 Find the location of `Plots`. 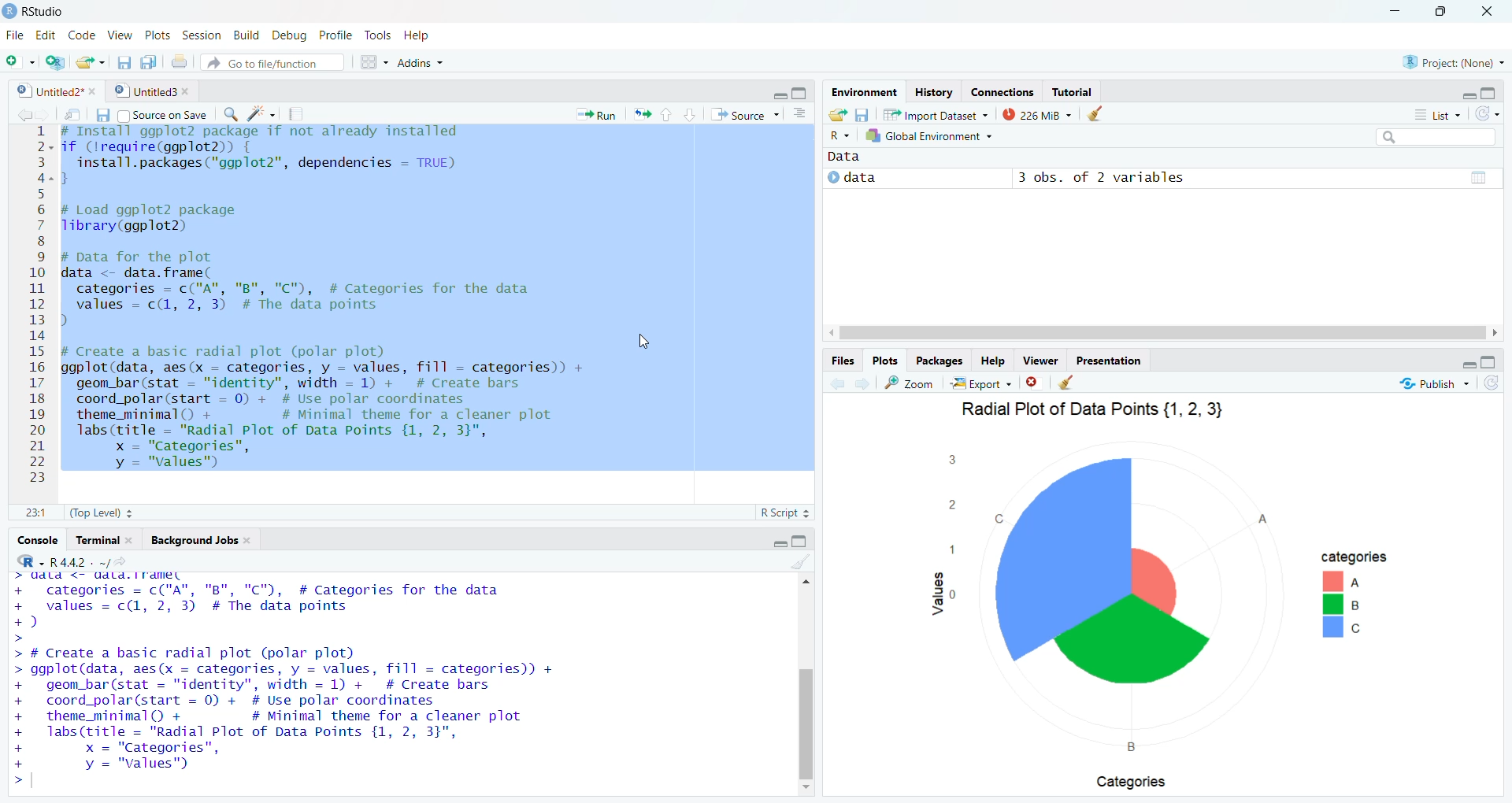

Plots is located at coordinates (155, 36).